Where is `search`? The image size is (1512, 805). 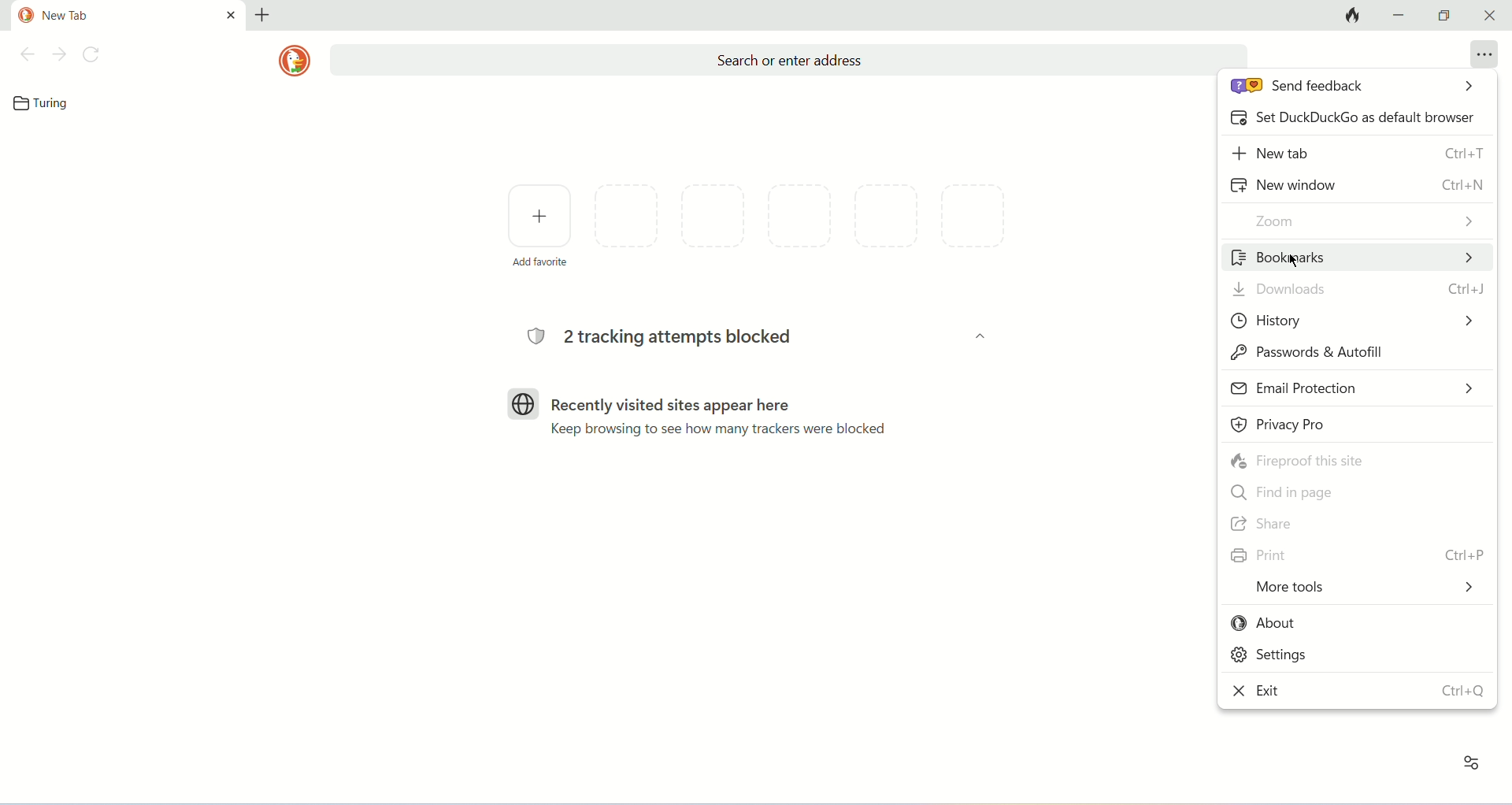
search is located at coordinates (793, 57).